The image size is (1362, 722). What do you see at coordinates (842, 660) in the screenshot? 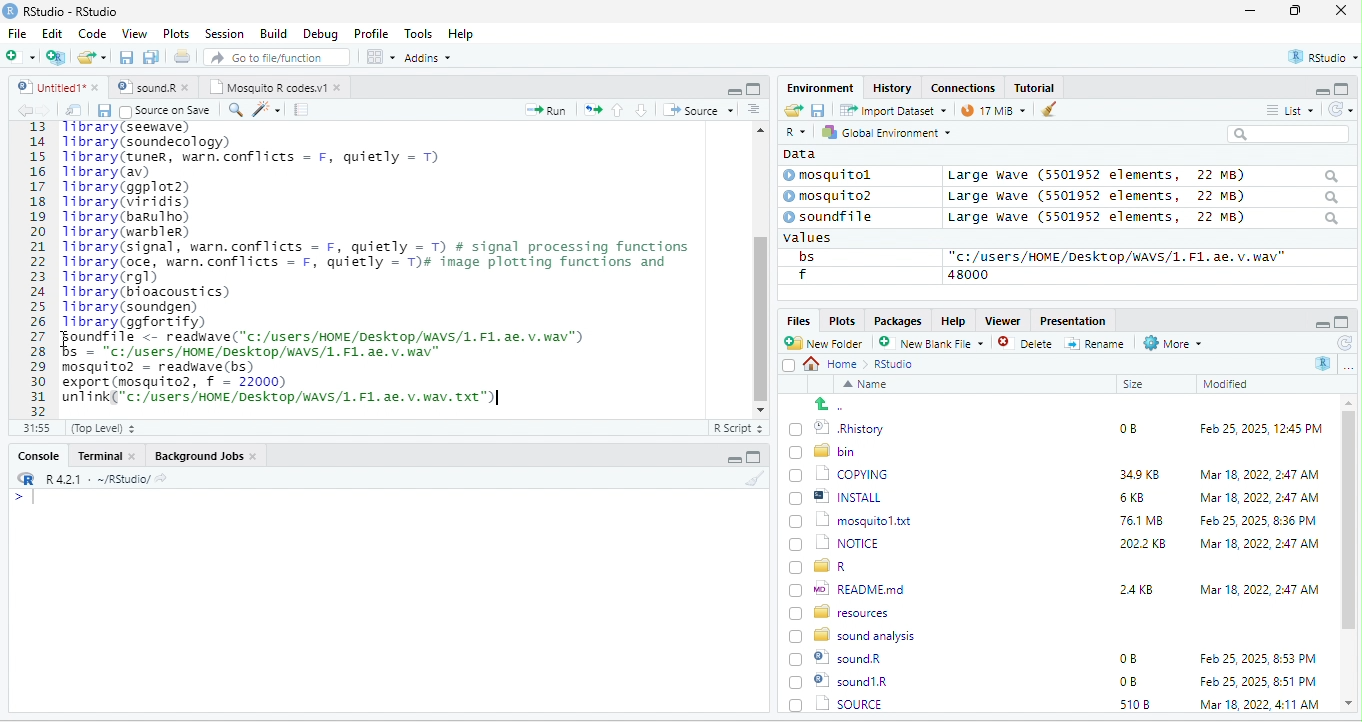
I see `© sound1R` at bounding box center [842, 660].